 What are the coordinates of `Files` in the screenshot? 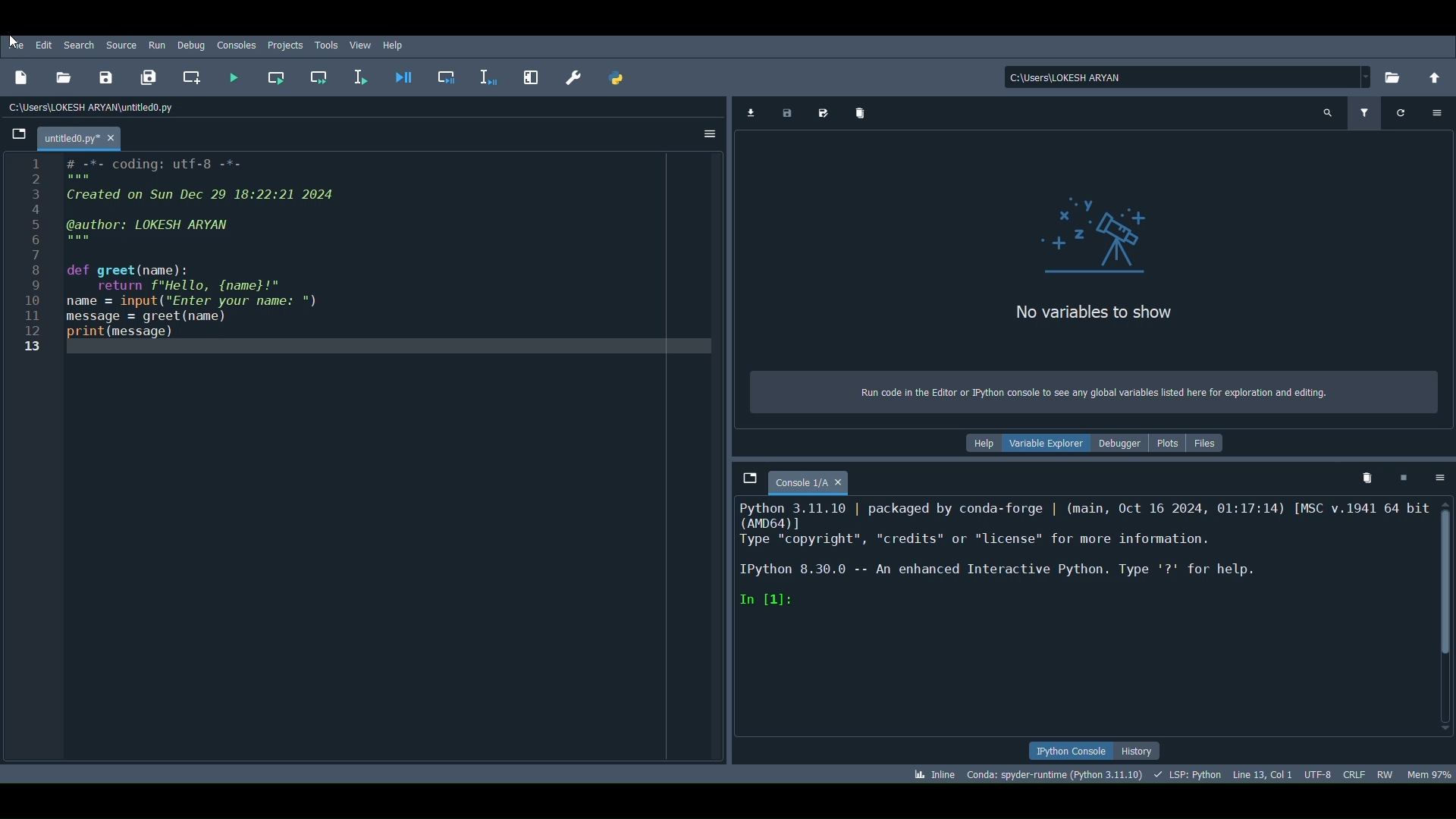 It's located at (1209, 444).